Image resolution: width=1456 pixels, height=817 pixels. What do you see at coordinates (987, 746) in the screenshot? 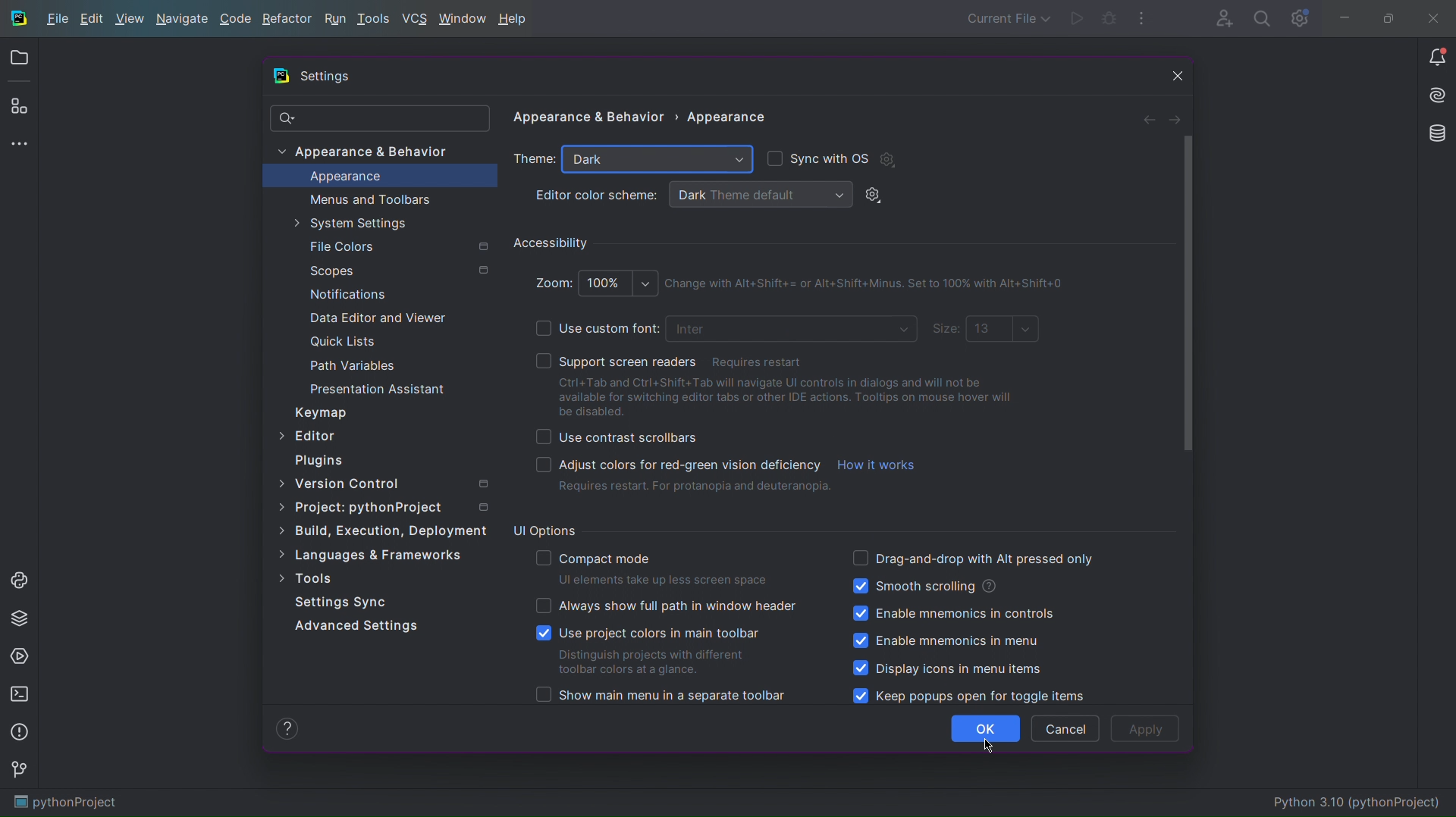
I see `Cursor ` at bounding box center [987, 746].